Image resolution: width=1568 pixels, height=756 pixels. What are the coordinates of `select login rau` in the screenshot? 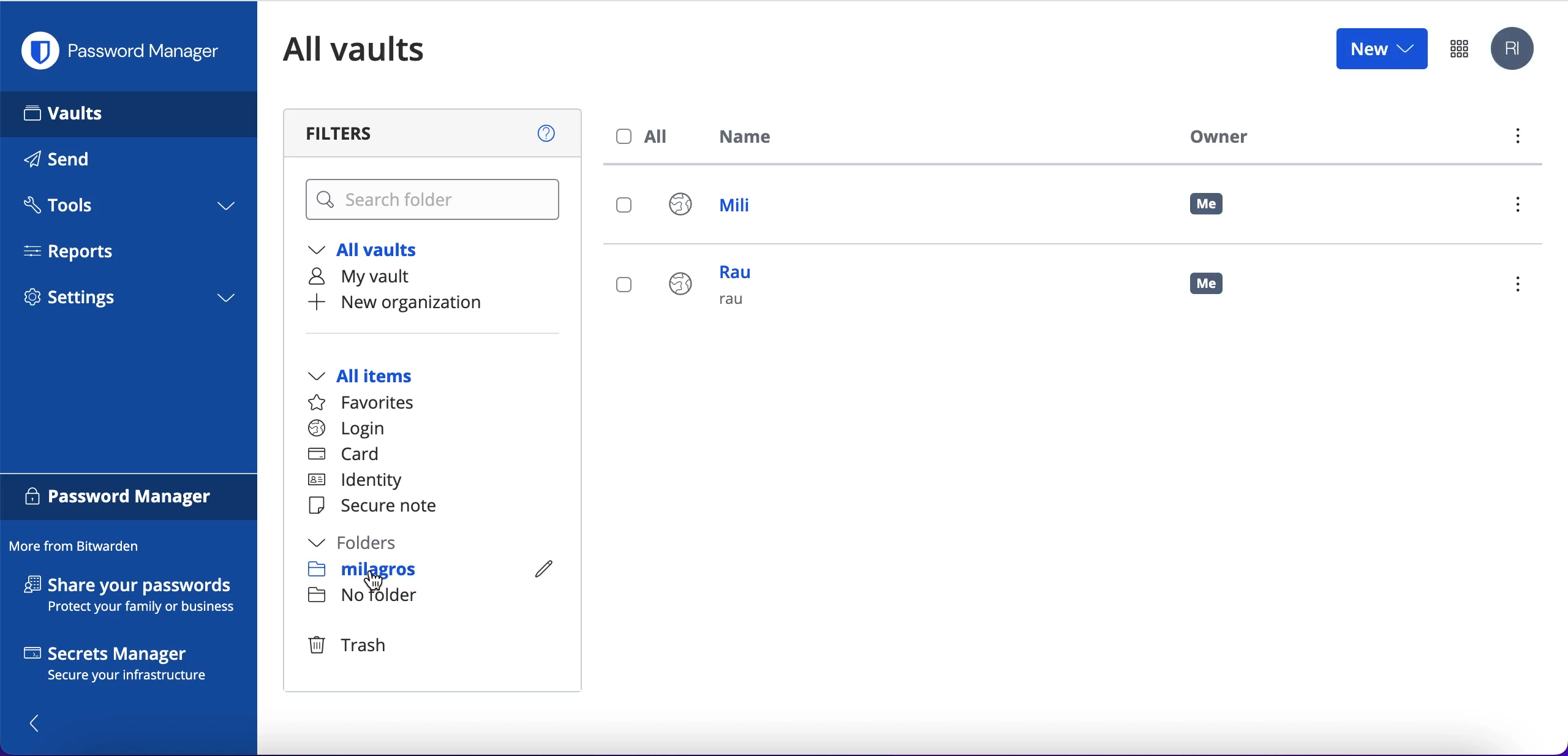 It's located at (622, 285).